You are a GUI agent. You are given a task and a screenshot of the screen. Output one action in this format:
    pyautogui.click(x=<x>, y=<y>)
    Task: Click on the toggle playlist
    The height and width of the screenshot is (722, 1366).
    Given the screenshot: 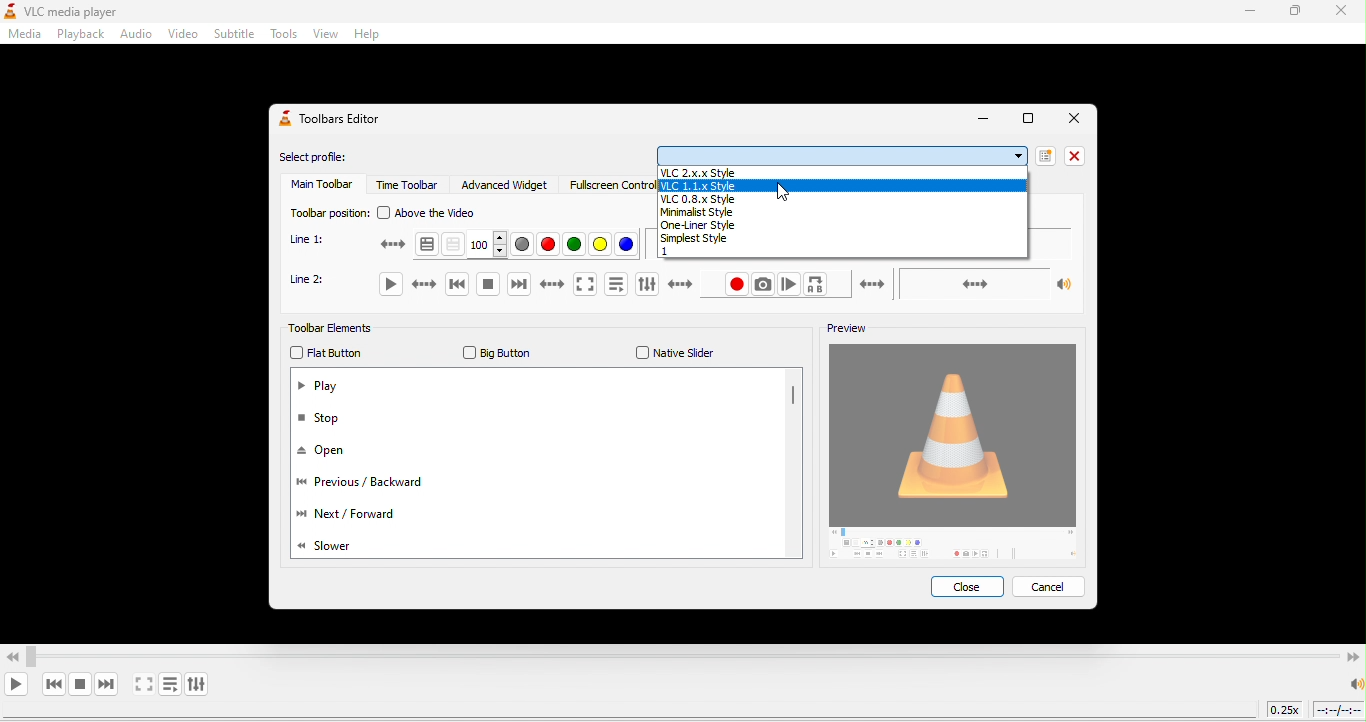 What is the action you would take?
    pyautogui.click(x=618, y=285)
    